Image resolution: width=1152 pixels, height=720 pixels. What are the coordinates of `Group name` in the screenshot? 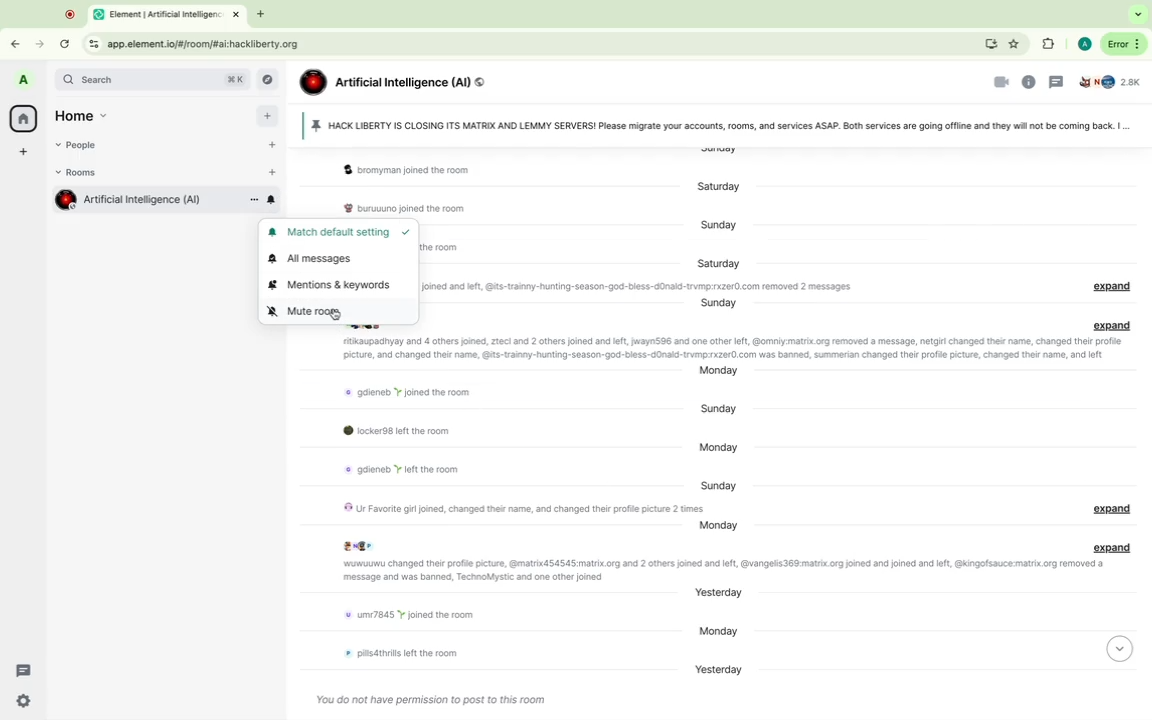 It's located at (400, 81).